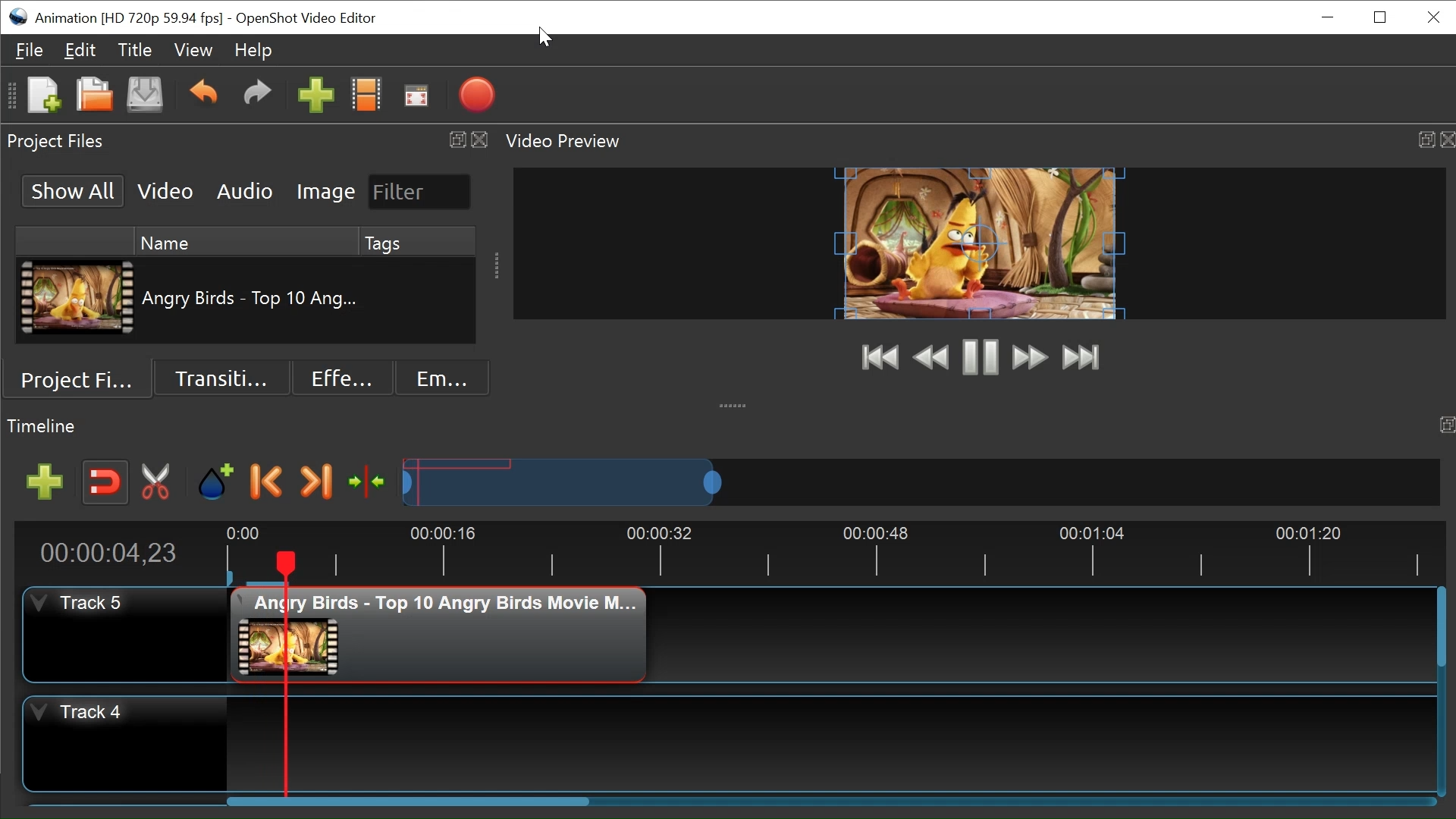 Image resolution: width=1456 pixels, height=819 pixels. What do you see at coordinates (981, 358) in the screenshot?
I see `Play` at bounding box center [981, 358].